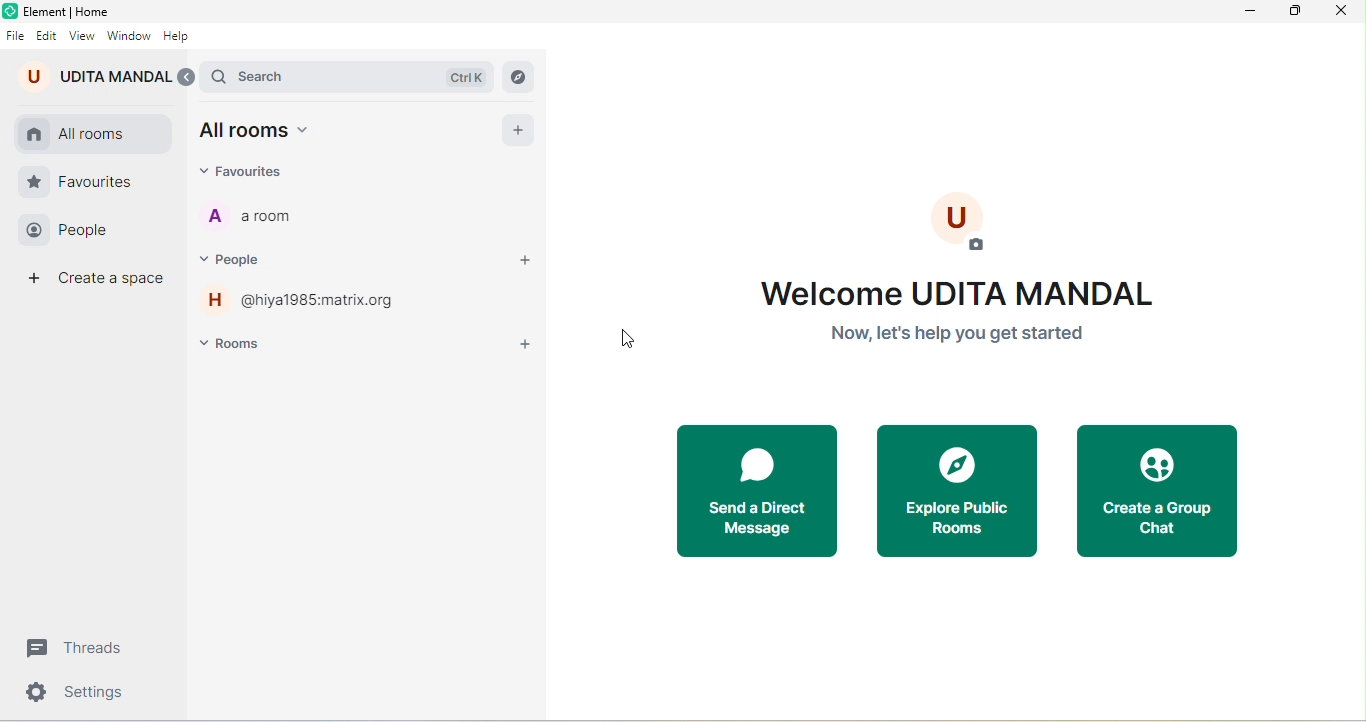 Image resolution: width=1366 pixels, height=722 pixels. Describe the element at coordinates (303, 217) in the screenshot. I see `a room` at that location.